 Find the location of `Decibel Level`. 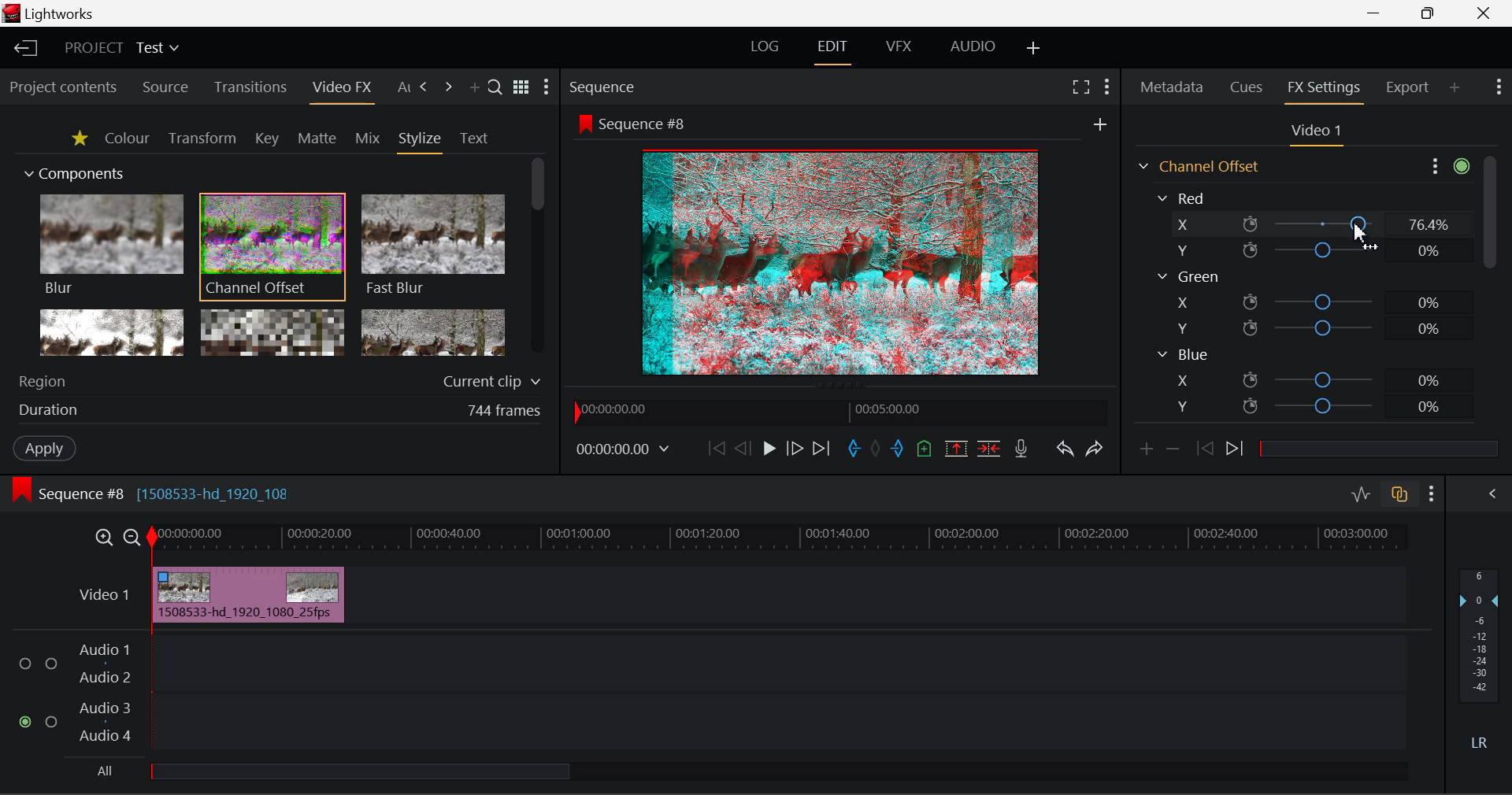

Decibel Level is located at coordinates (1480, 657).